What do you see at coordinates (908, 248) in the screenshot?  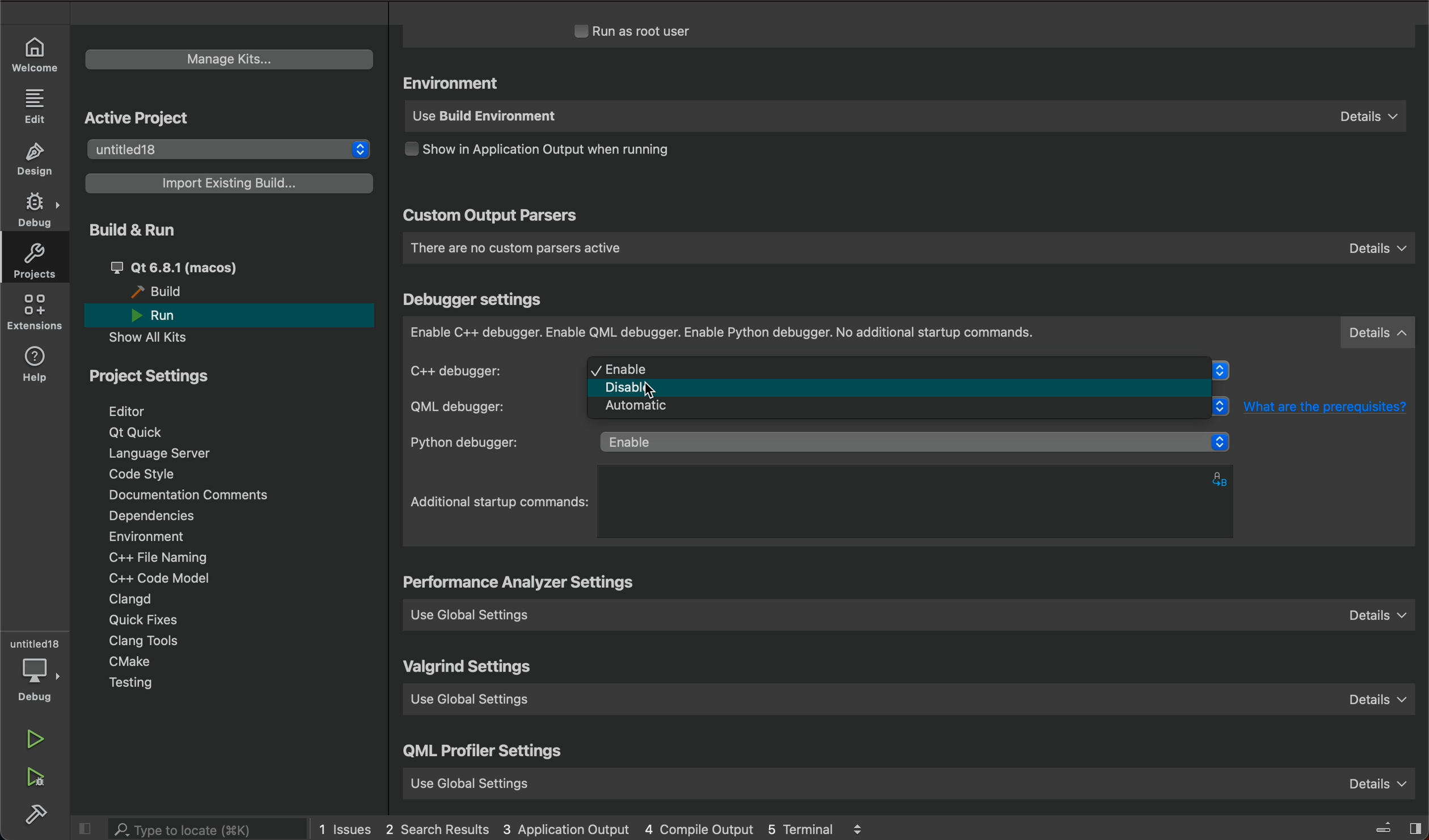 I see `custom parsers` at bounding box center [908, 248].